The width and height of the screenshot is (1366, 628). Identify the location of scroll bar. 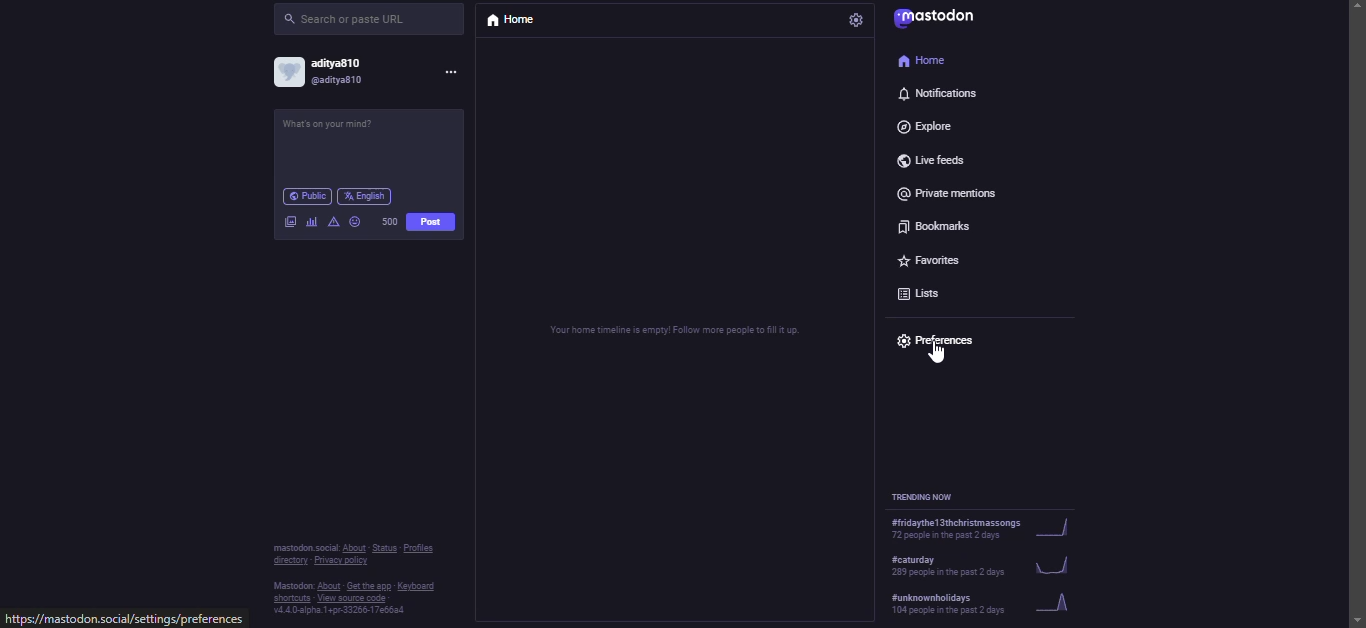
(1354, 297).